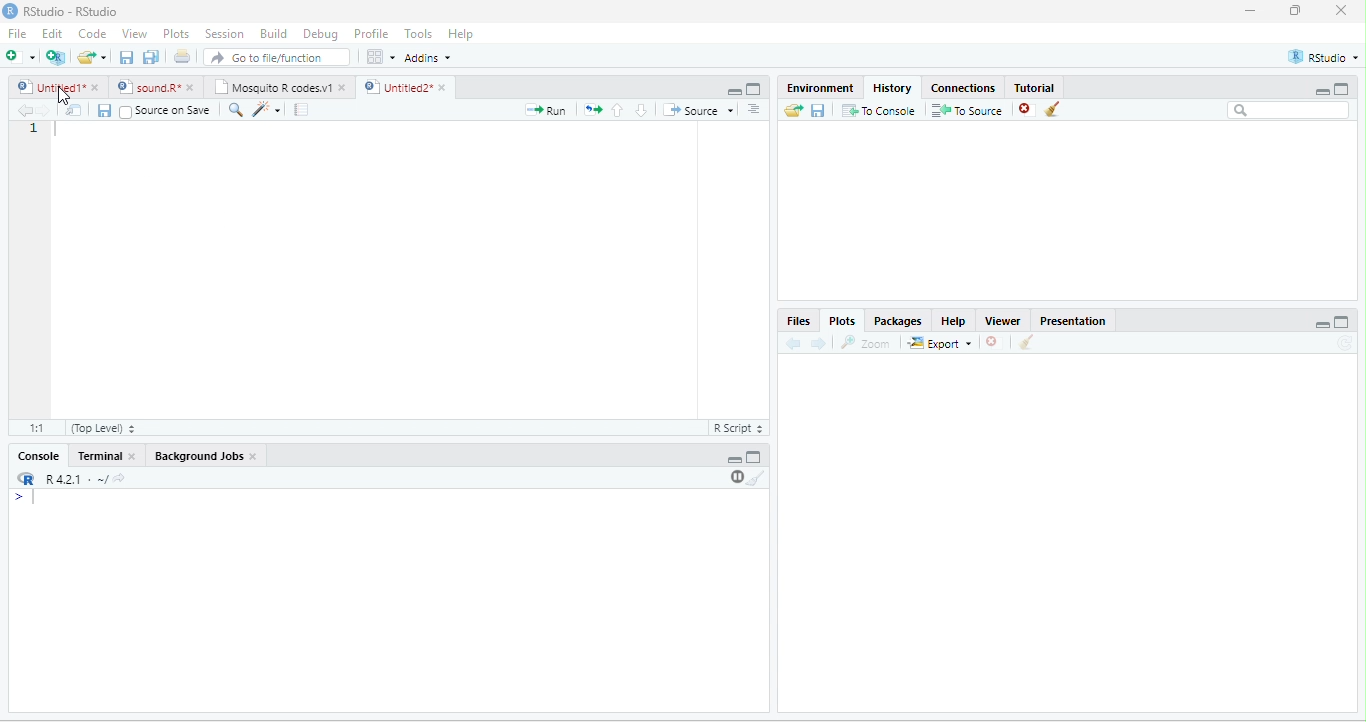 The width and height of the screenshot is (1366, 722). What do you see at coordinates (28, 498) in the screenshot?
I see `start typing` at bounding box center [28, 498].